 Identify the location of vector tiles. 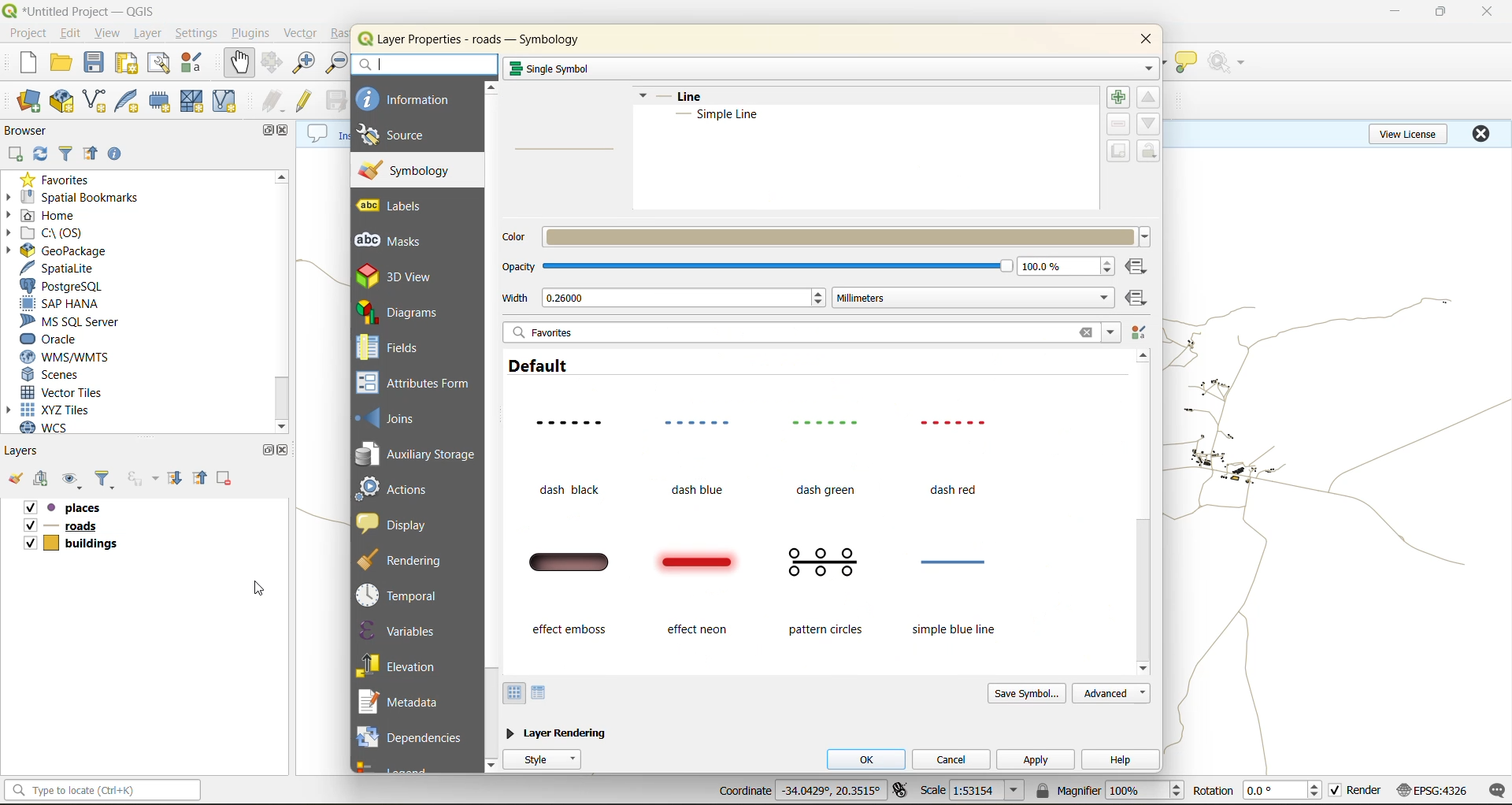
(70, 393).